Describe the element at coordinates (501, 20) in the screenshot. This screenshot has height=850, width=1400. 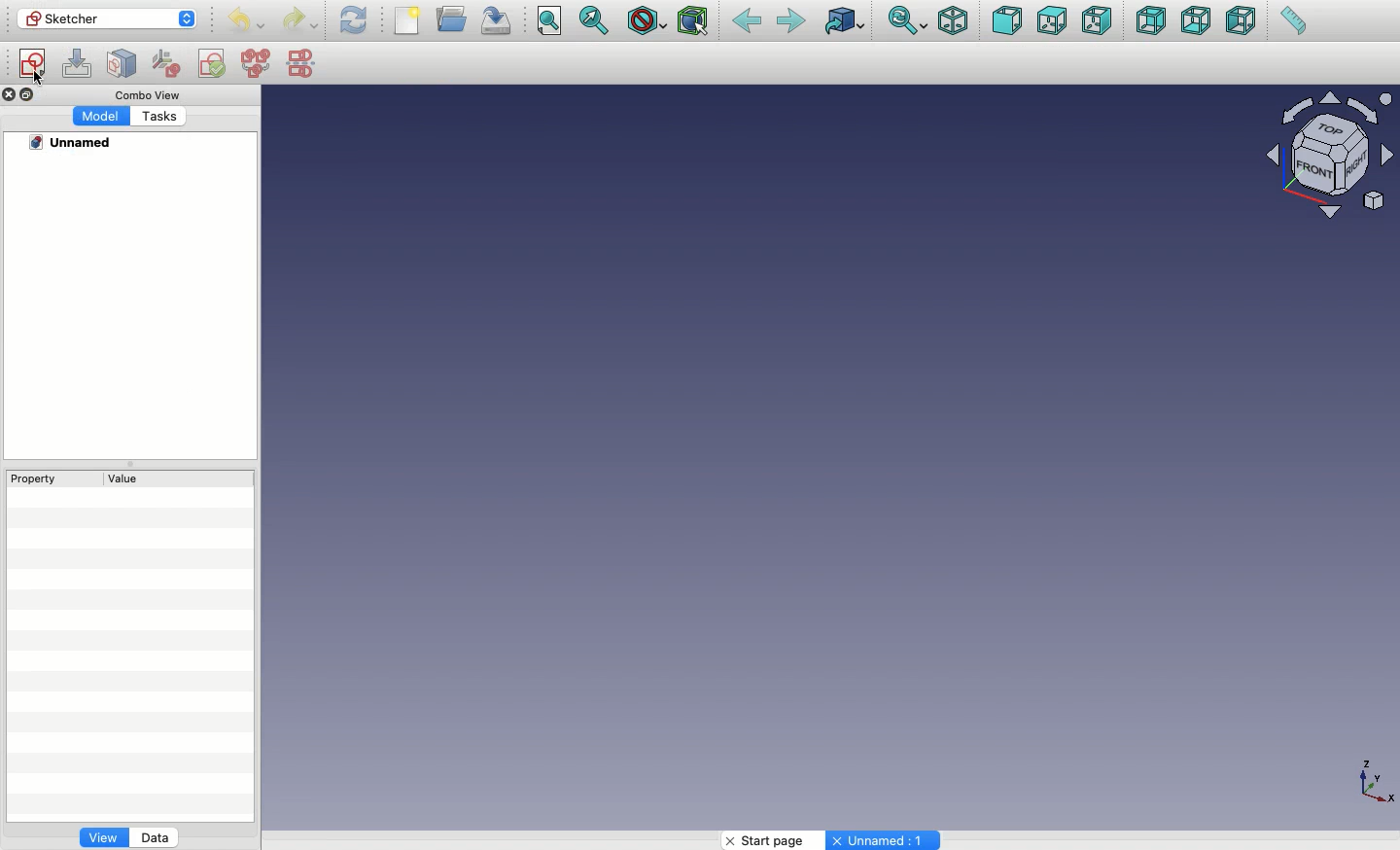
I see `Save` at that location.